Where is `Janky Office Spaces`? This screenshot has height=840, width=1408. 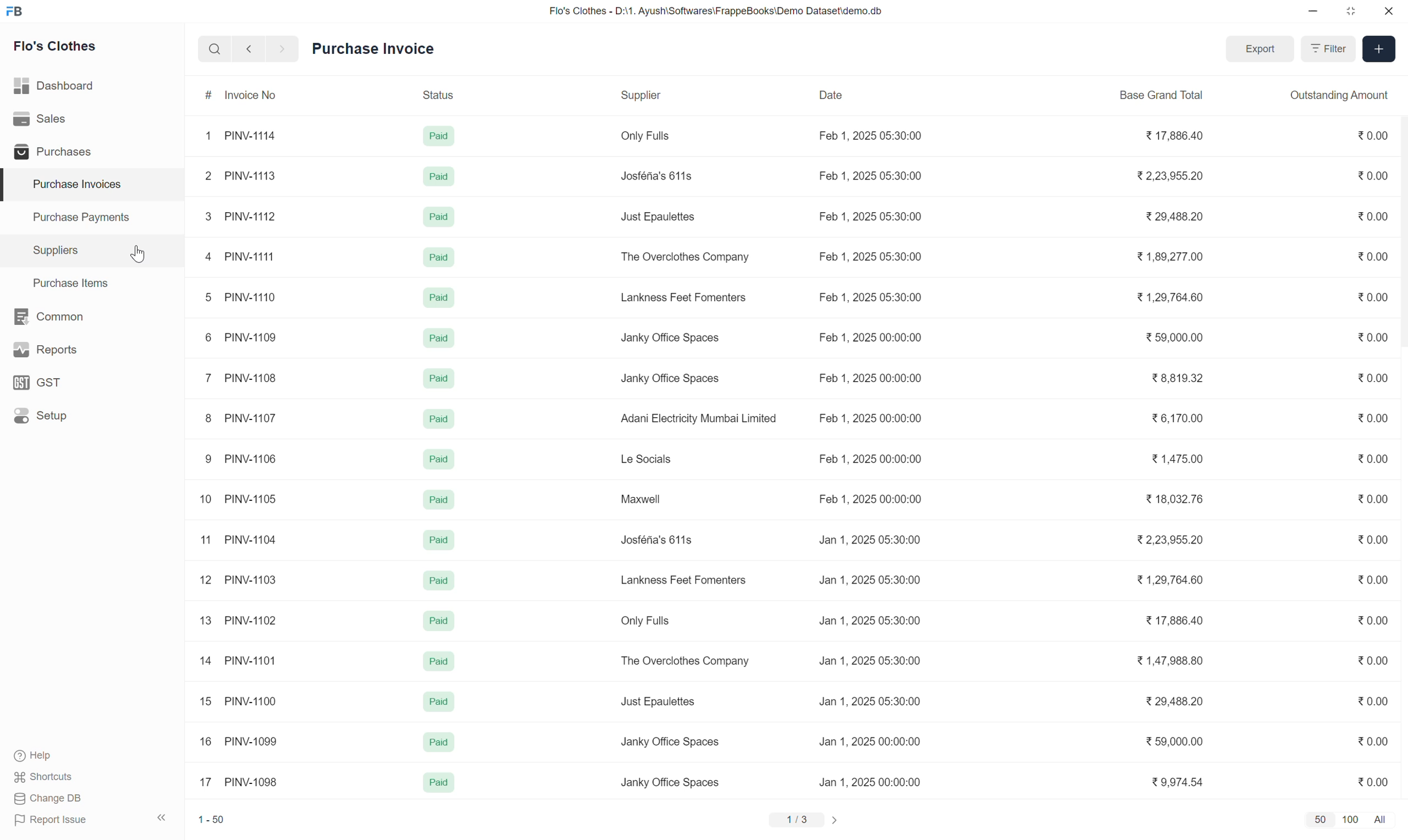
Janky Office Spaces is located at coordinates (671, 783).